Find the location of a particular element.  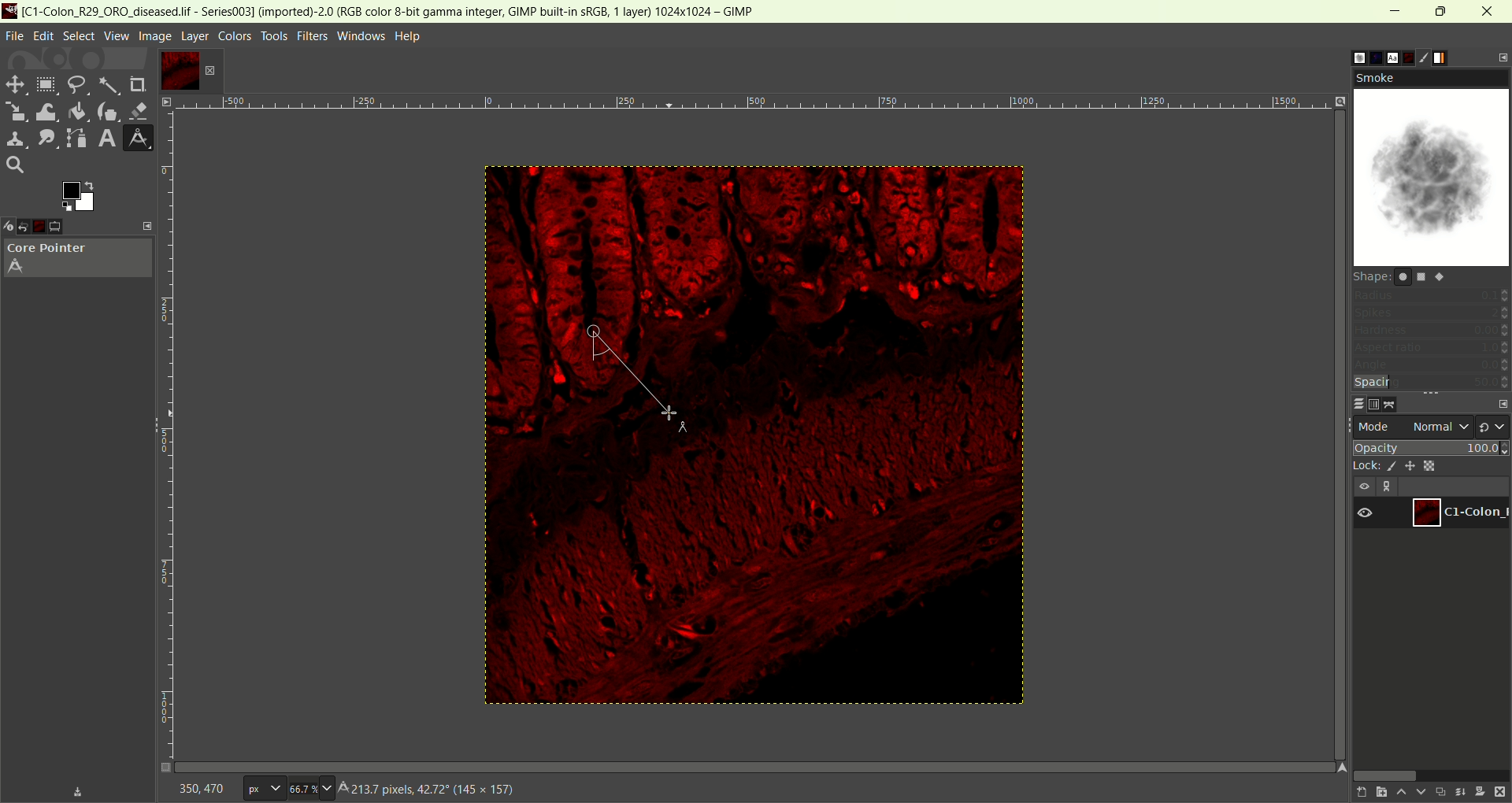

vertical scroll bar is located at coordinates (1329, 267).